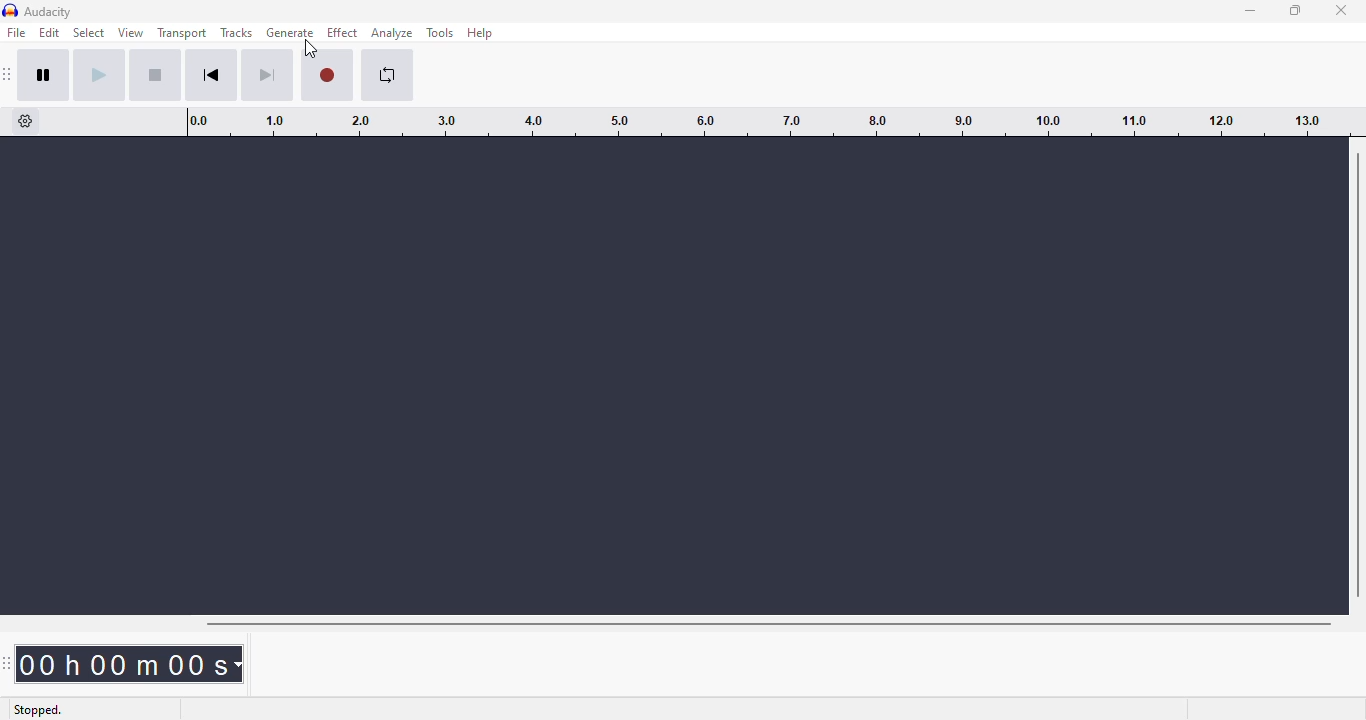 This screenshot has width=1366, height=720. Describe the element at coordinates (392, 33) in the screenshot. I see `analyze` at that location.